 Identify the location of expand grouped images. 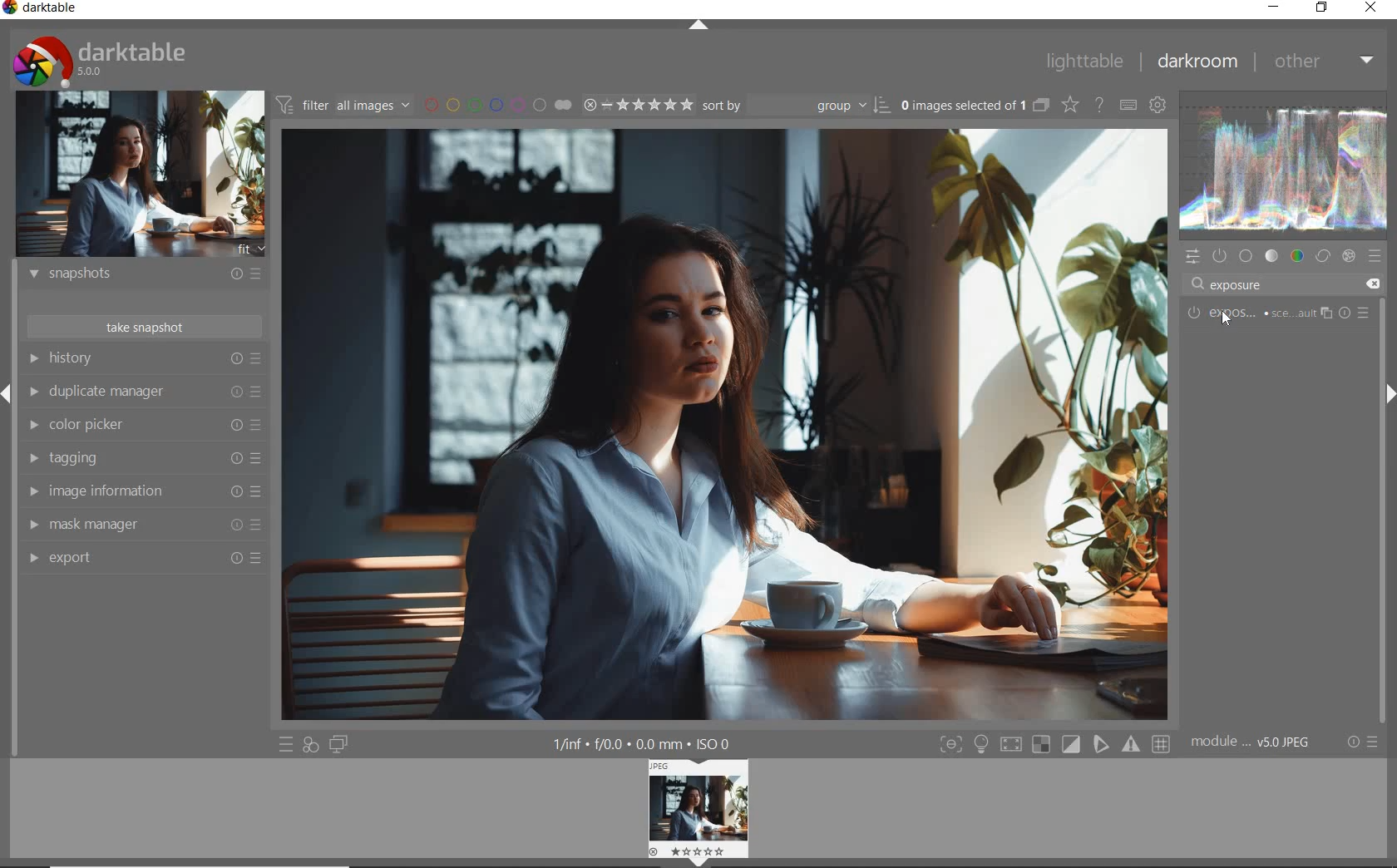
(976, 107).